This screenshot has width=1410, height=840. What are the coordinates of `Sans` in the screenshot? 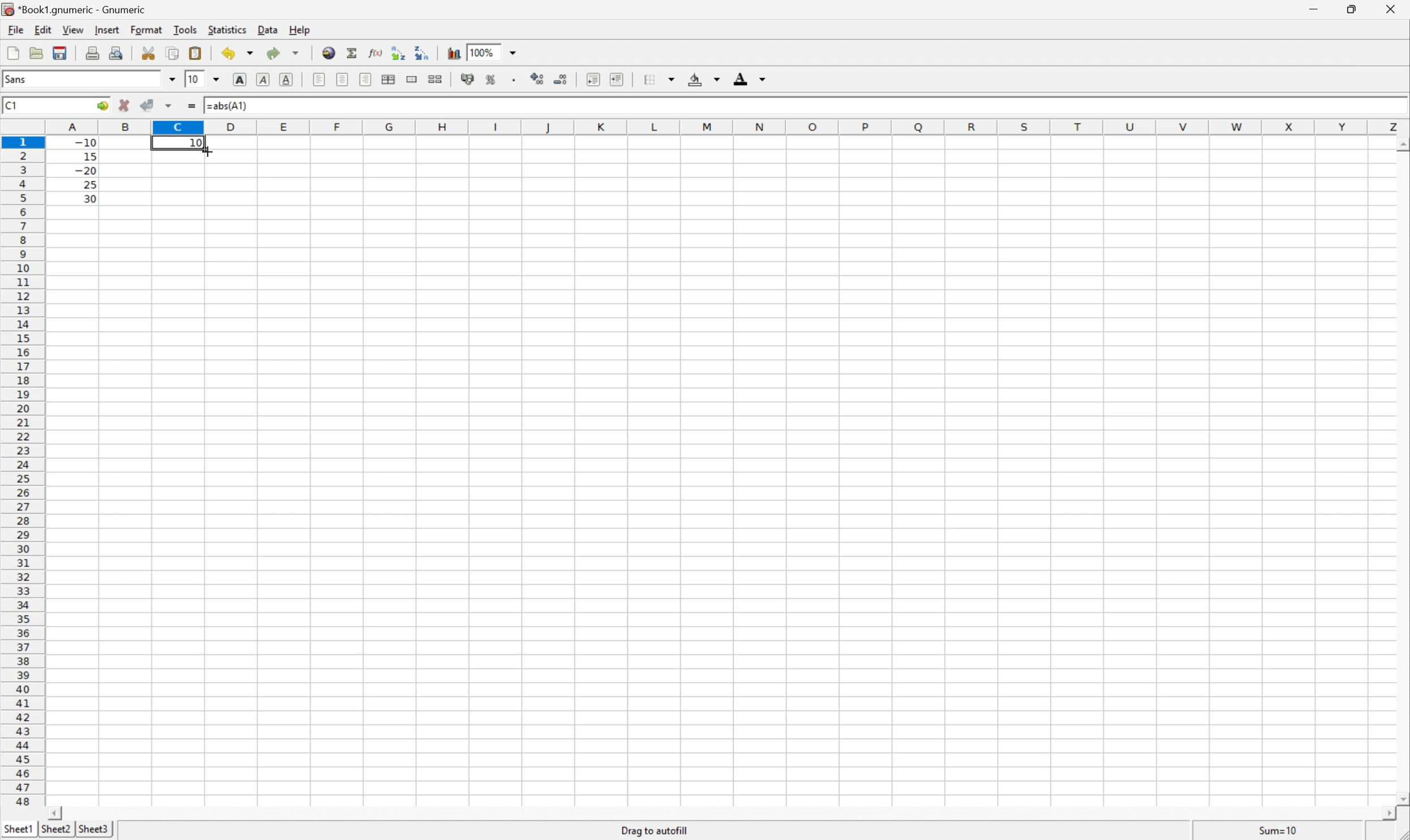 It's located at (18, 79).